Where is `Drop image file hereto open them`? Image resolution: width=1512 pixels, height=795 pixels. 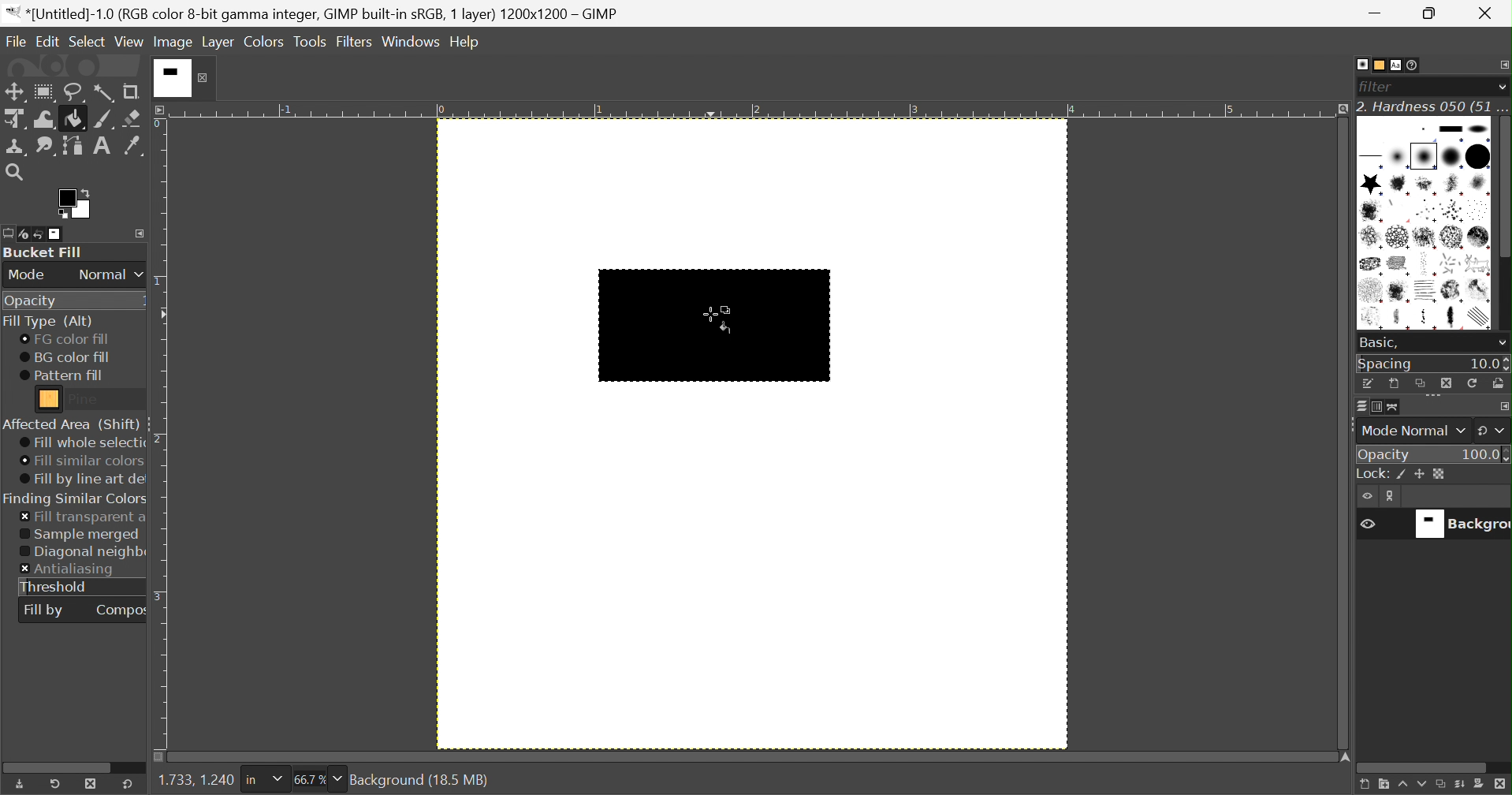
Drop image file hereto open them is located at coordinates (71, 65).